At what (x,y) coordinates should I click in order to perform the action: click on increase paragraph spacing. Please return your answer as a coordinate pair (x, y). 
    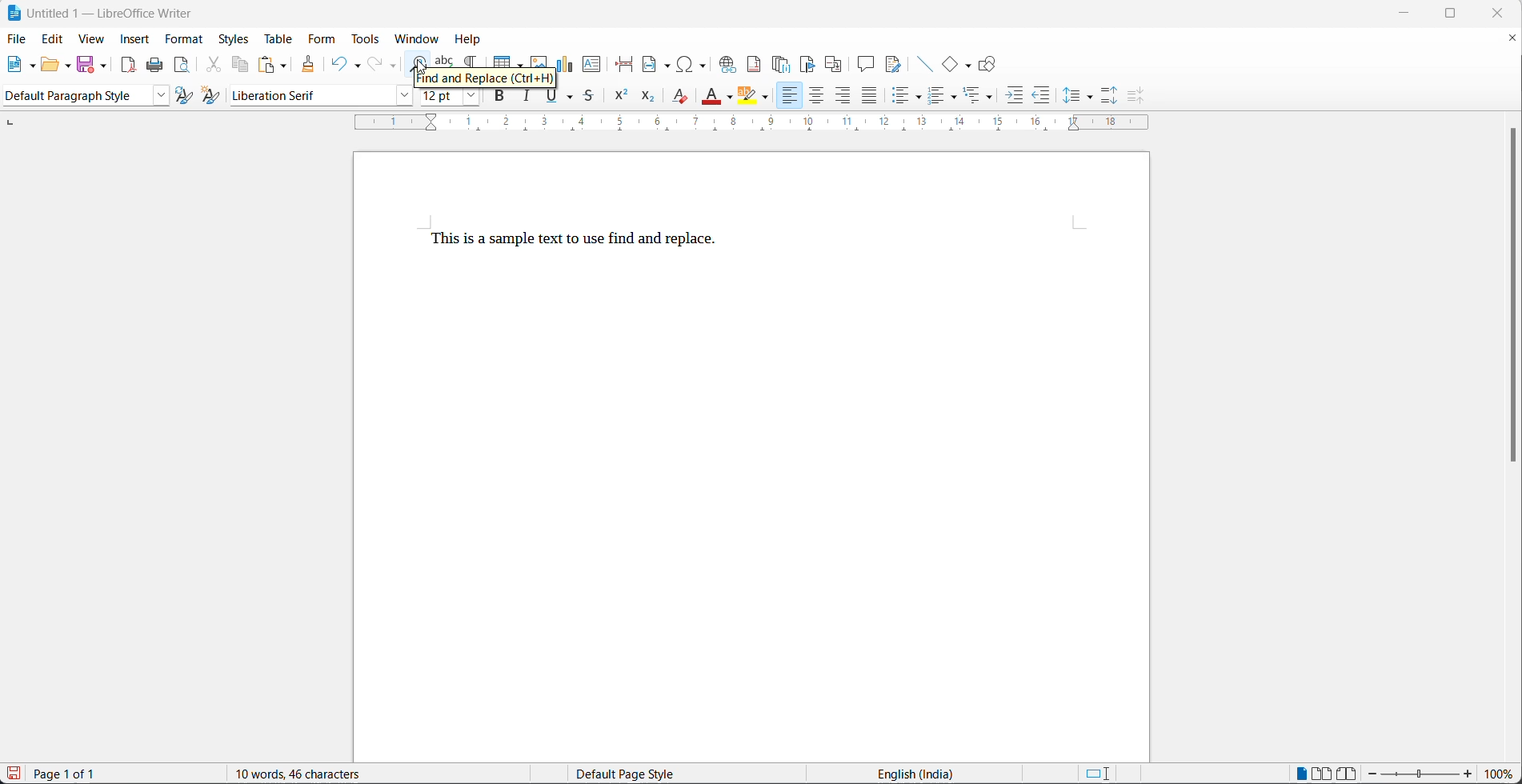
    Looking at the image, I should click on (1110, 94).